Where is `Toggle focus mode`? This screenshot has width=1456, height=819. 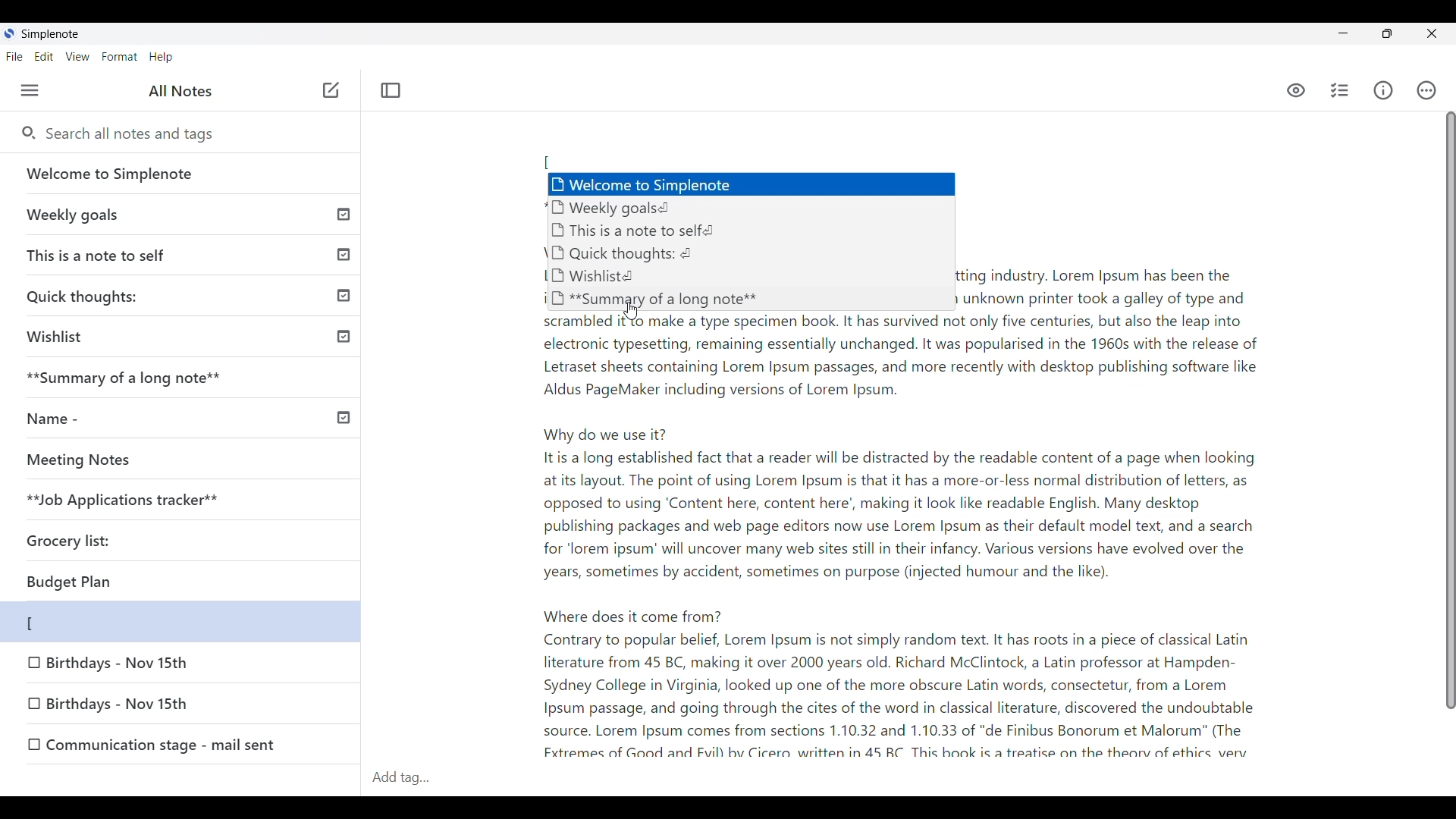
Toggle focus mode is located at coordinates (391, 90).